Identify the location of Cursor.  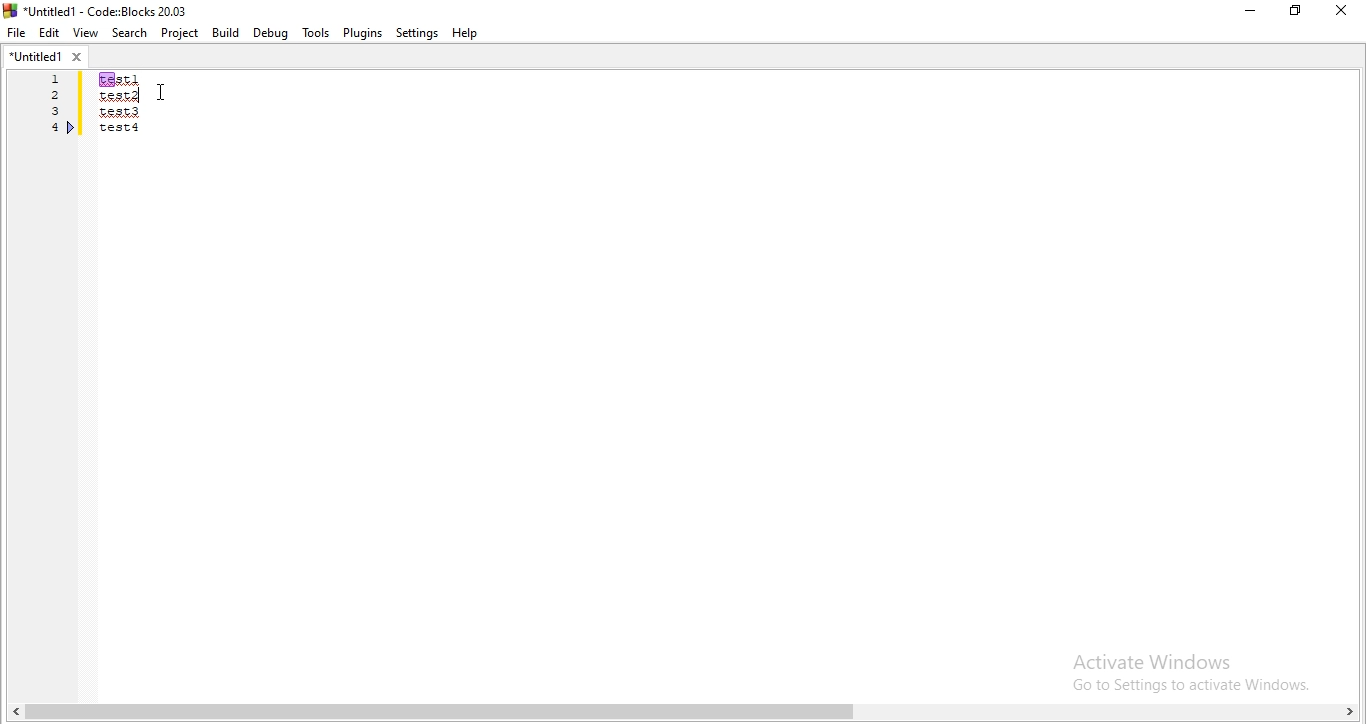
(163, 89).